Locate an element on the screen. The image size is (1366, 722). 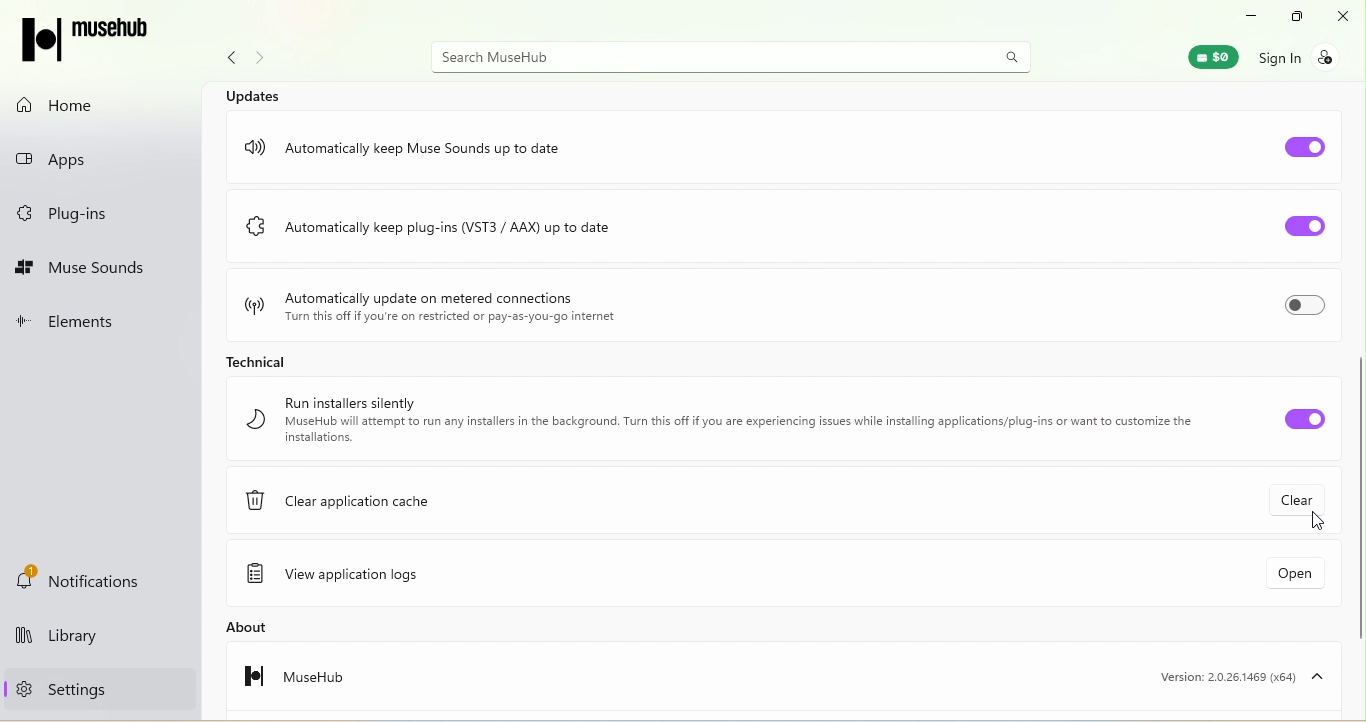
Scroll bar is located at coordinates (1358, 399).